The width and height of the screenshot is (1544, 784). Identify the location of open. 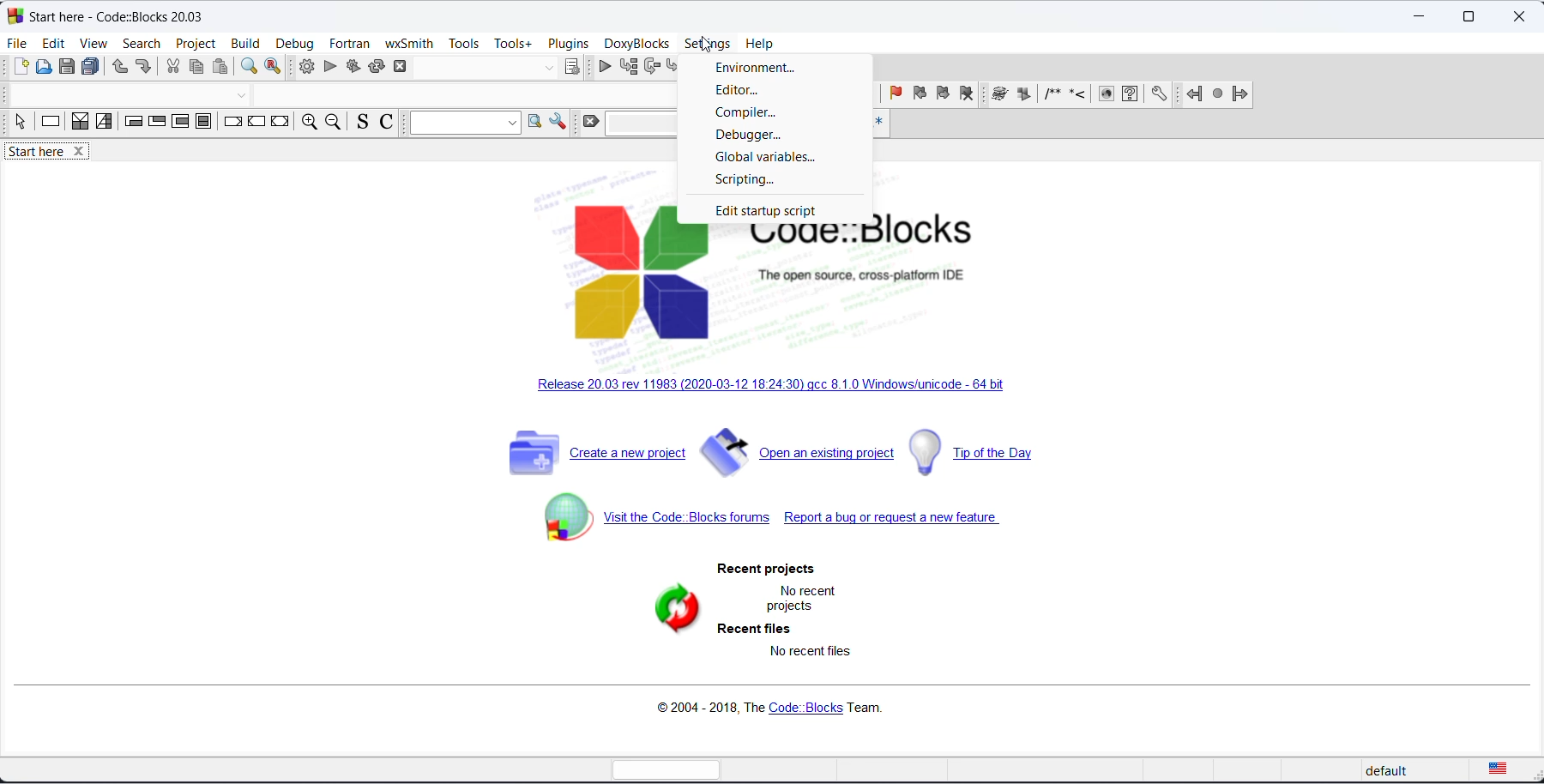
(43, 67).